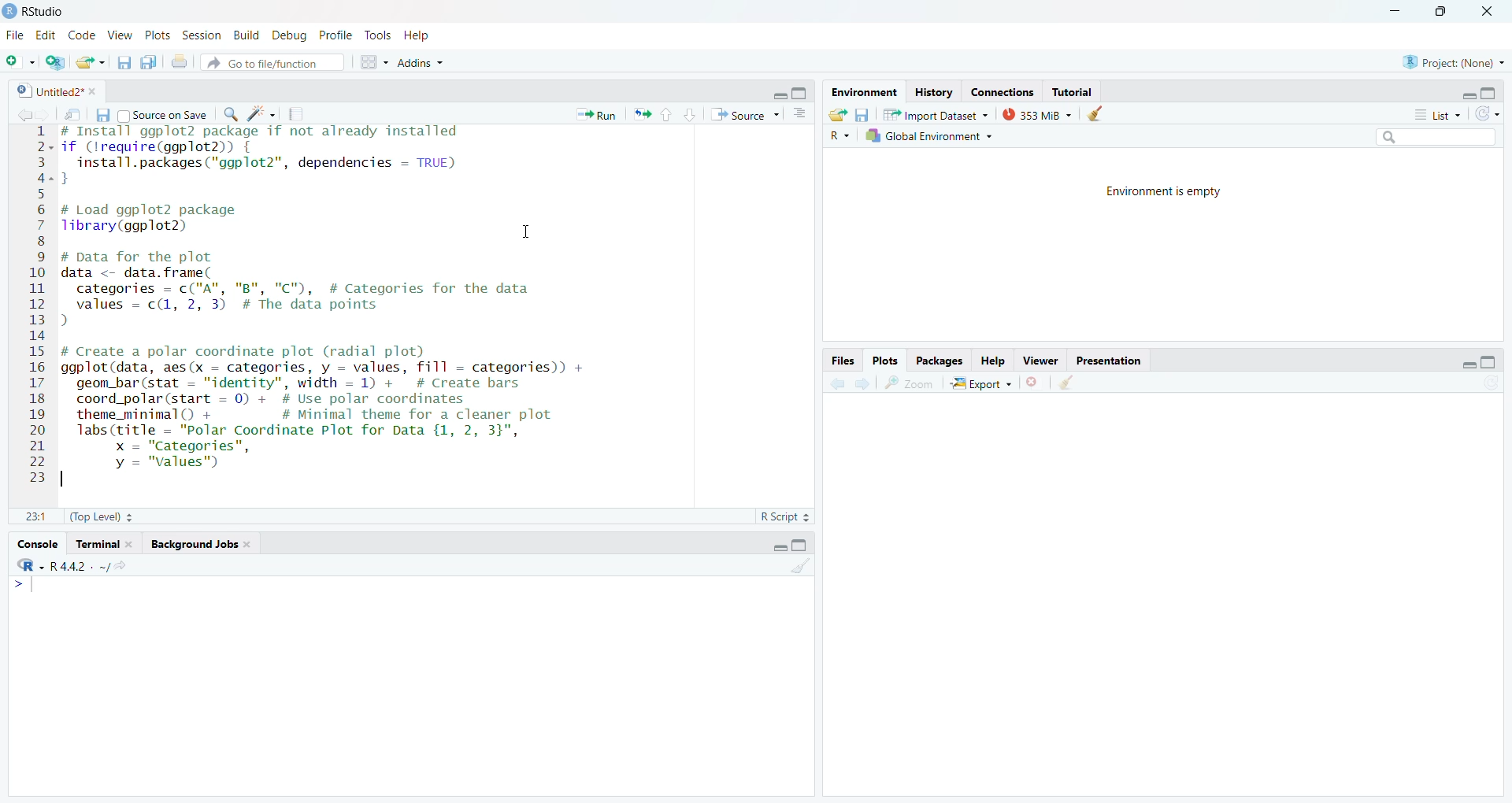 This screenshot has height=803, width=1512. I want to click on open an existing file, so click(91, 62).